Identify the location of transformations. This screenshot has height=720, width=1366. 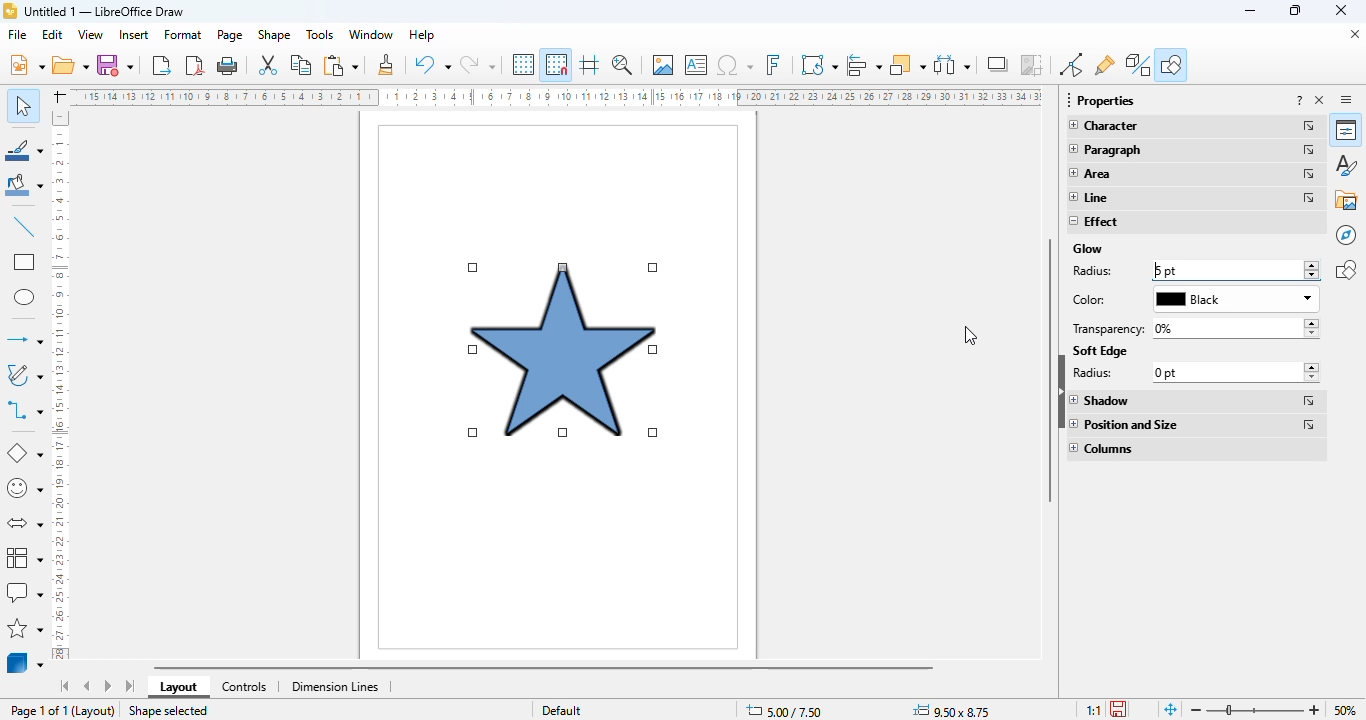
(819, 65).